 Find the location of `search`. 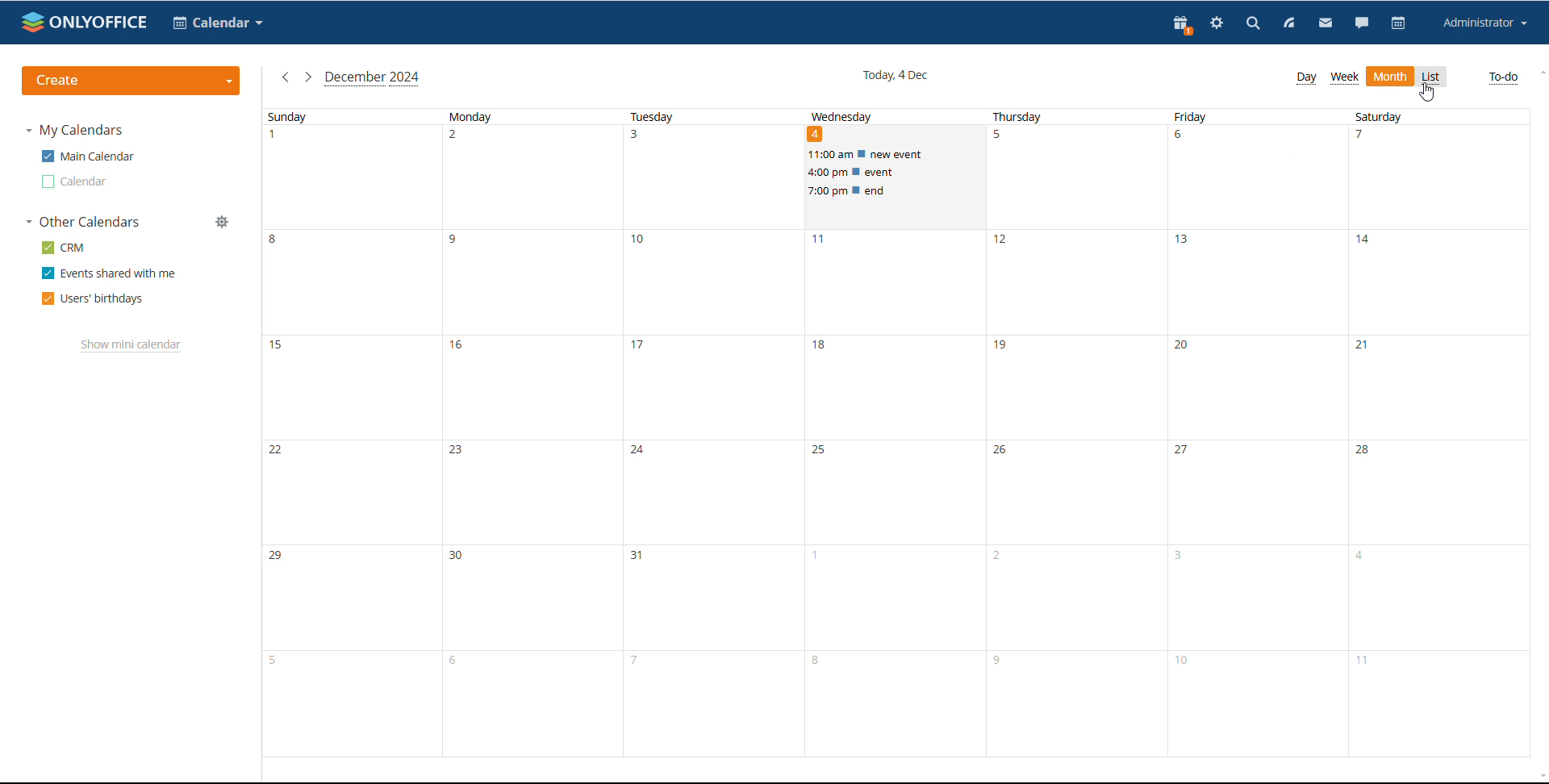

search is located at coordinates (1249, 23).